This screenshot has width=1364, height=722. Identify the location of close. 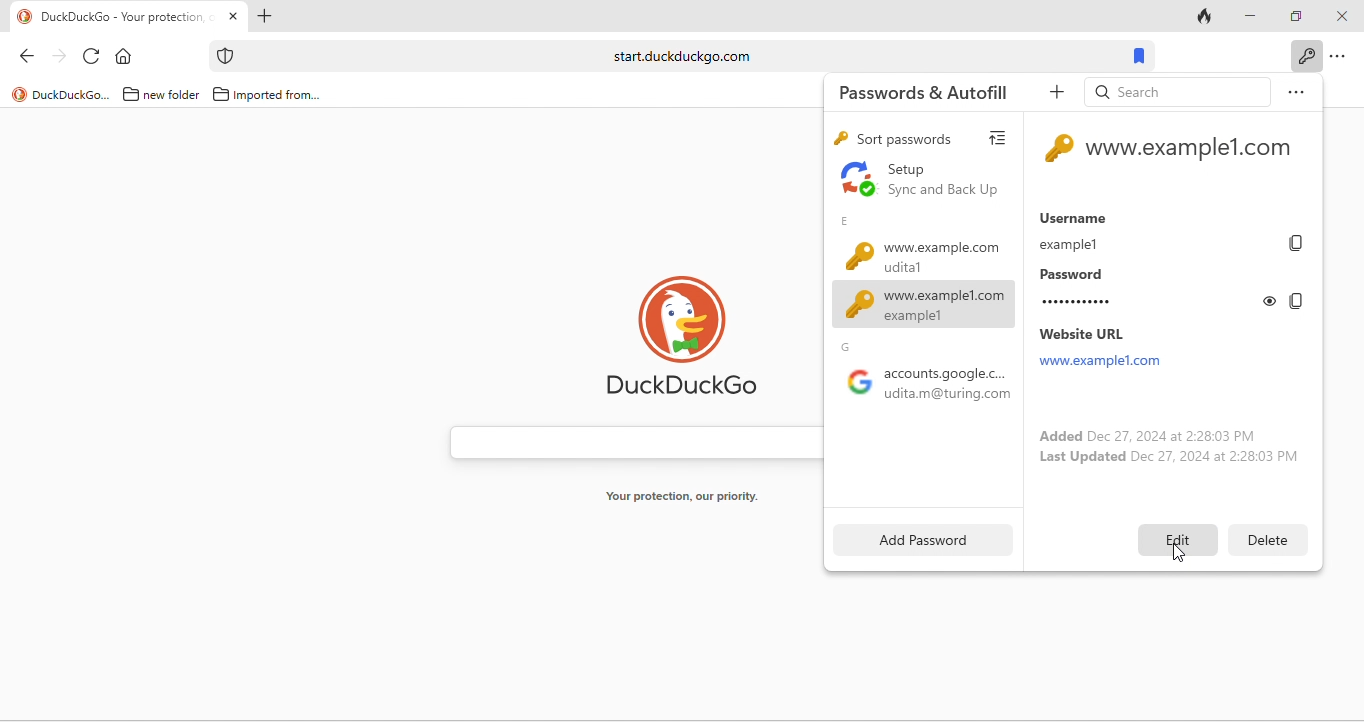
(1340, 17).